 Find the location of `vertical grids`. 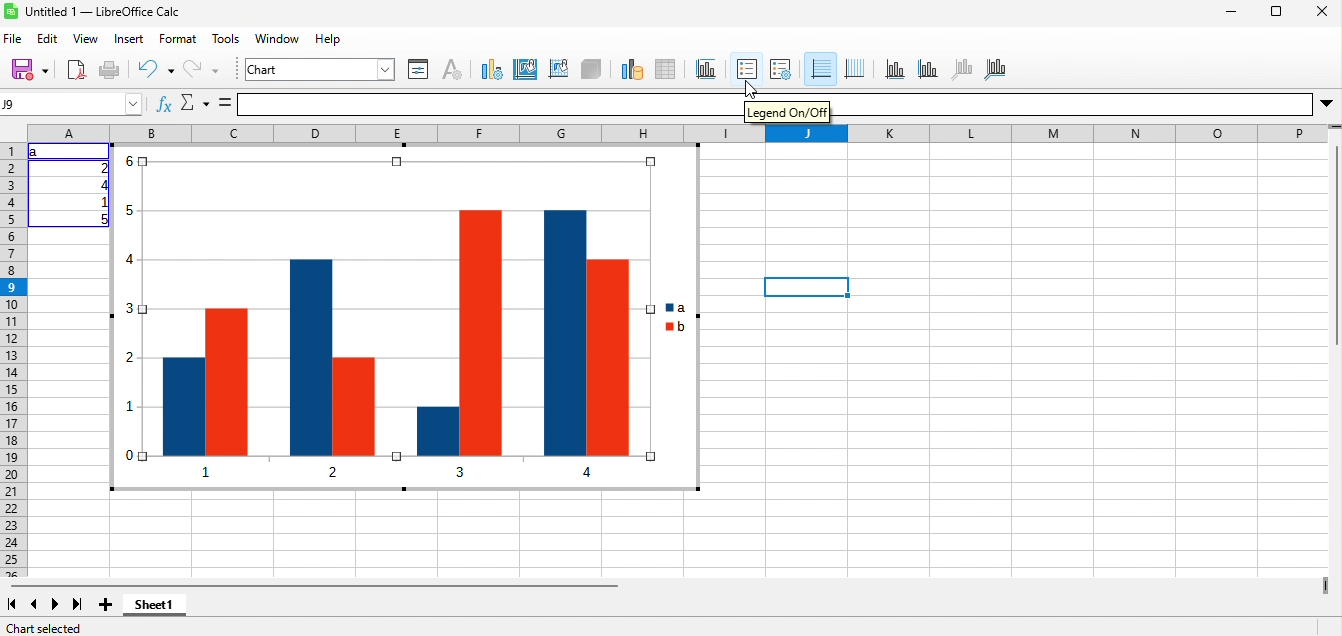

vertical grids is located at coordinates (855, 70).